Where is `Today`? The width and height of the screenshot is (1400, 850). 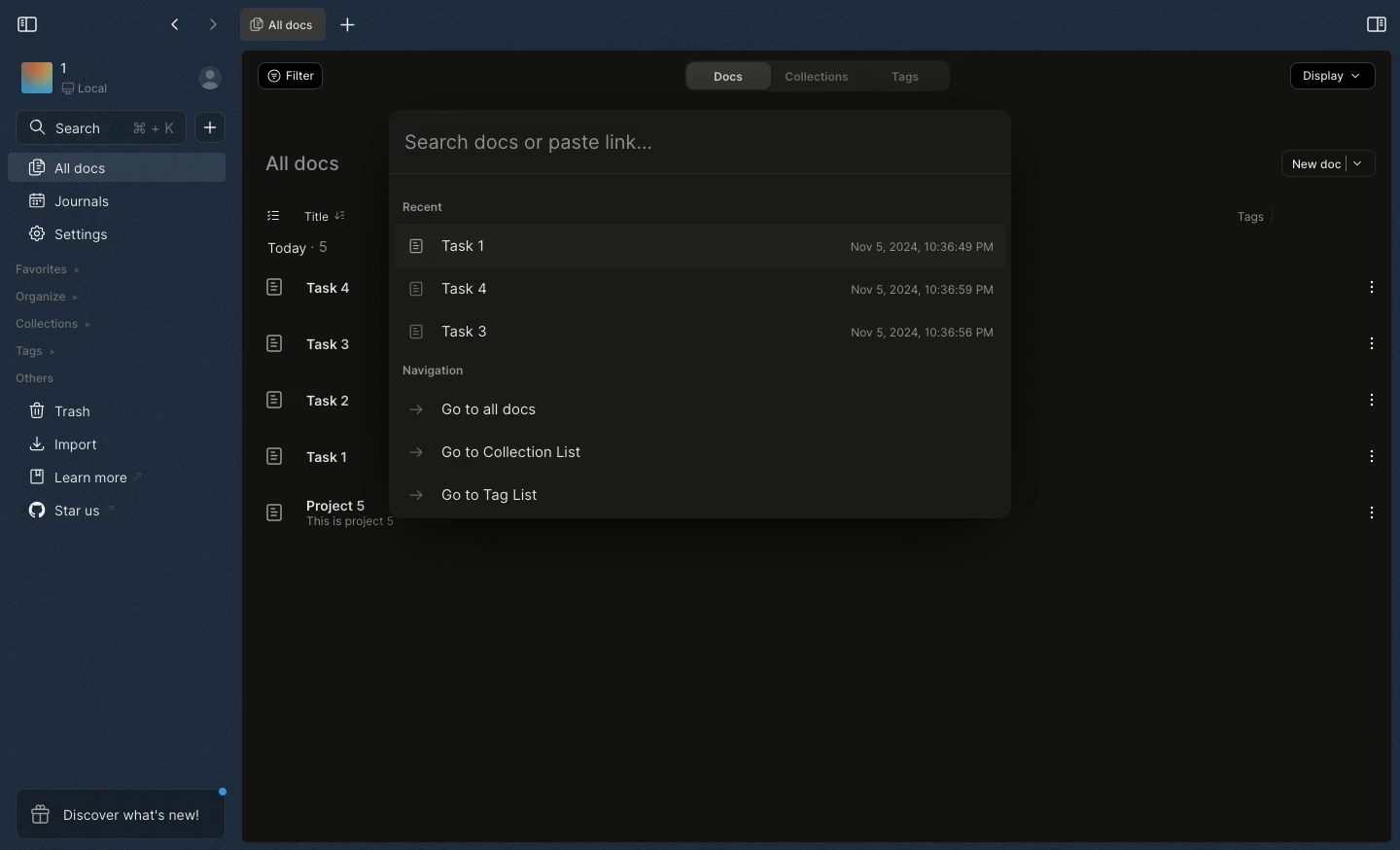 Today is located at coordinates (282, 250).